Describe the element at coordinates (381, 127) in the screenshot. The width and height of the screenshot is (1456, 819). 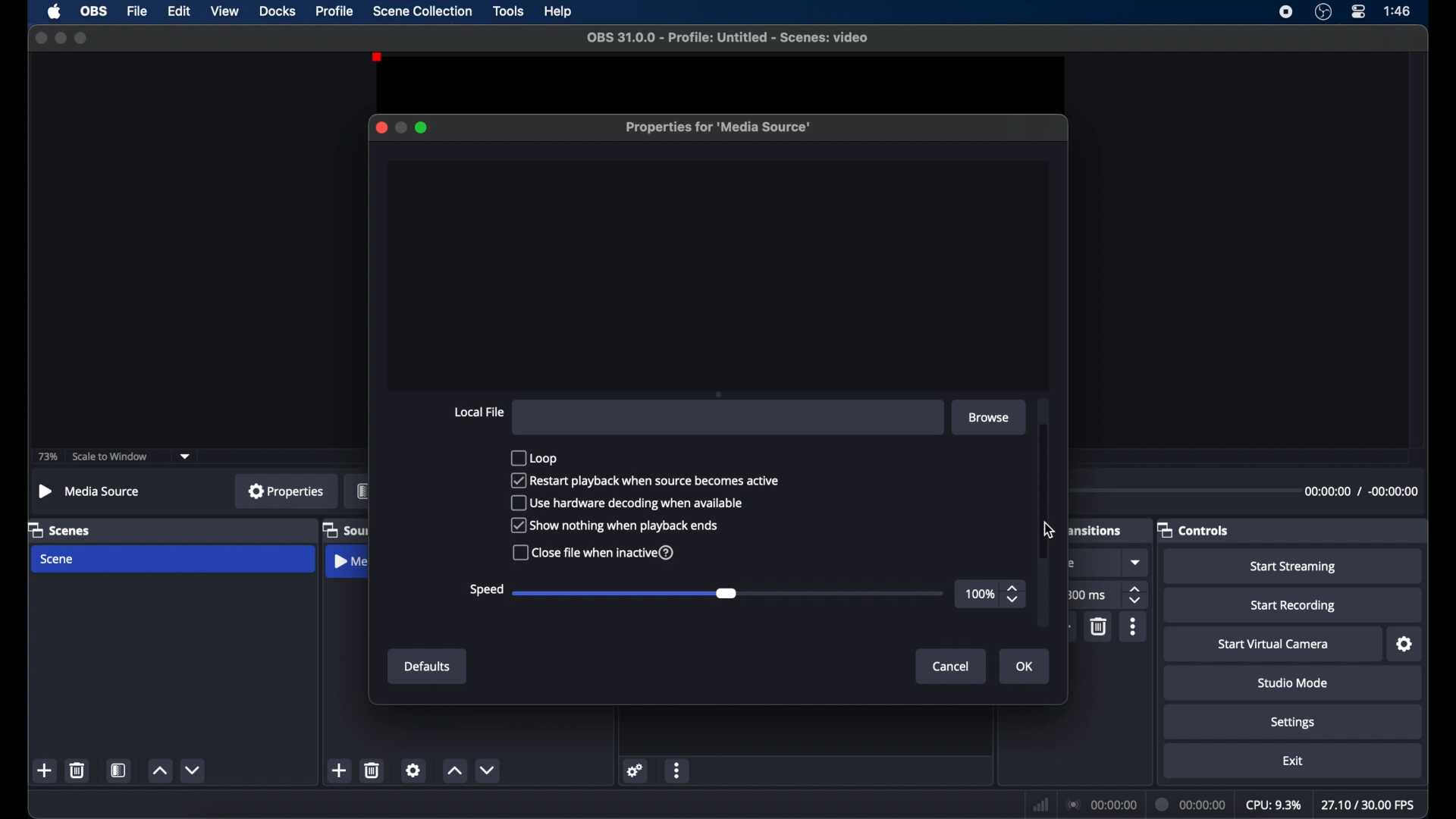
I see `close` at that location.